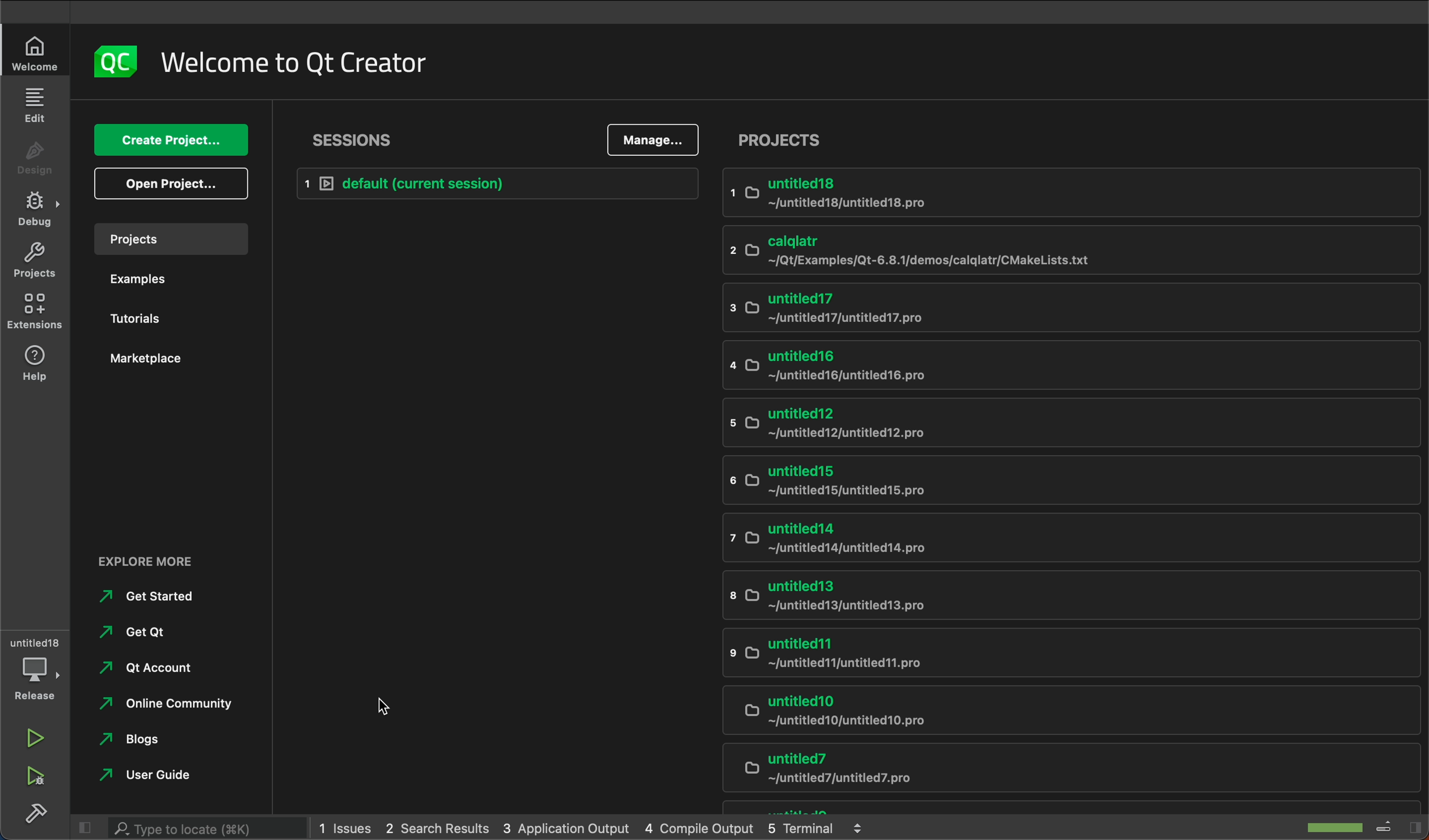 Image resolution: width=1429 pixels, height=840 pixels. I want to click on untitled 13, so click(1024, 596).